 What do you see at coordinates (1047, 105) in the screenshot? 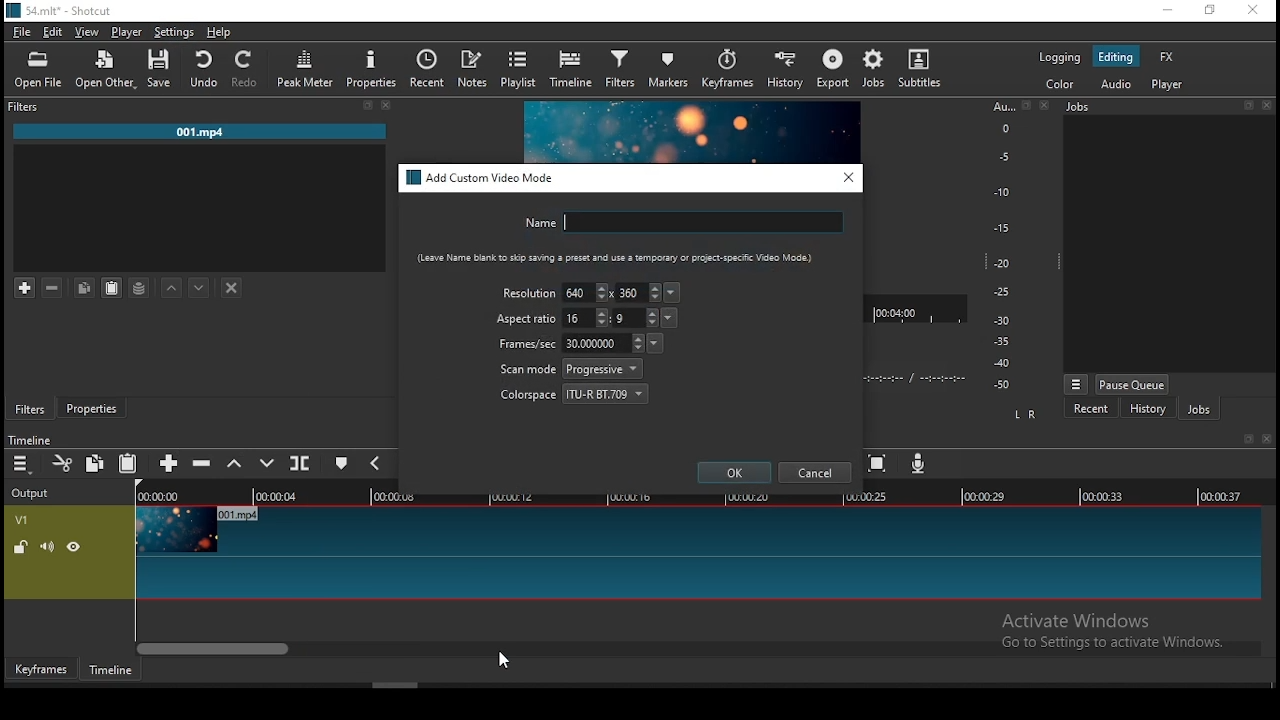
I see `close` at bounding box center [1047, 105].